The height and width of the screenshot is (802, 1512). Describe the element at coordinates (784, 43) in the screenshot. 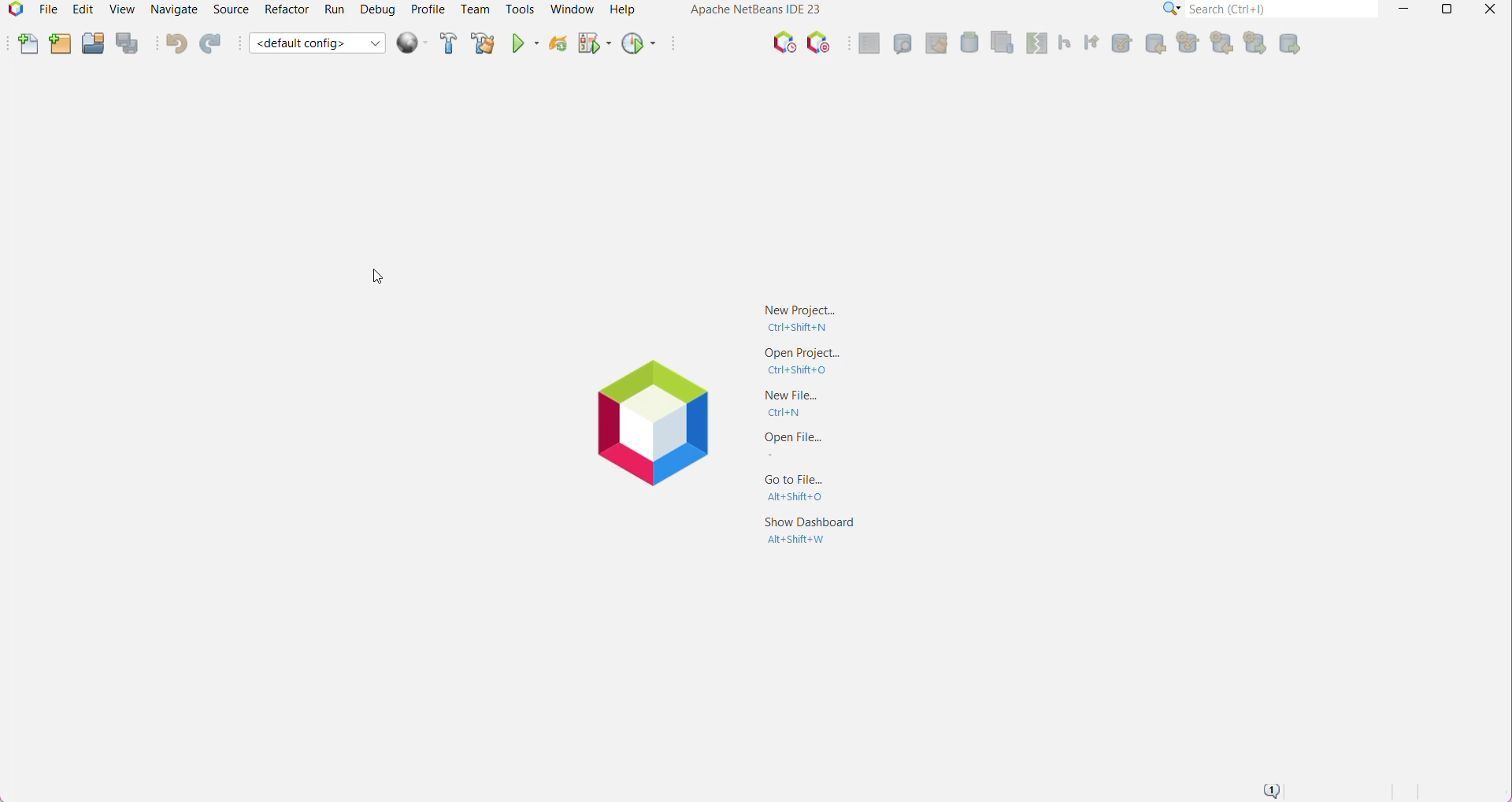

I see `Profile the IDE` at that location.